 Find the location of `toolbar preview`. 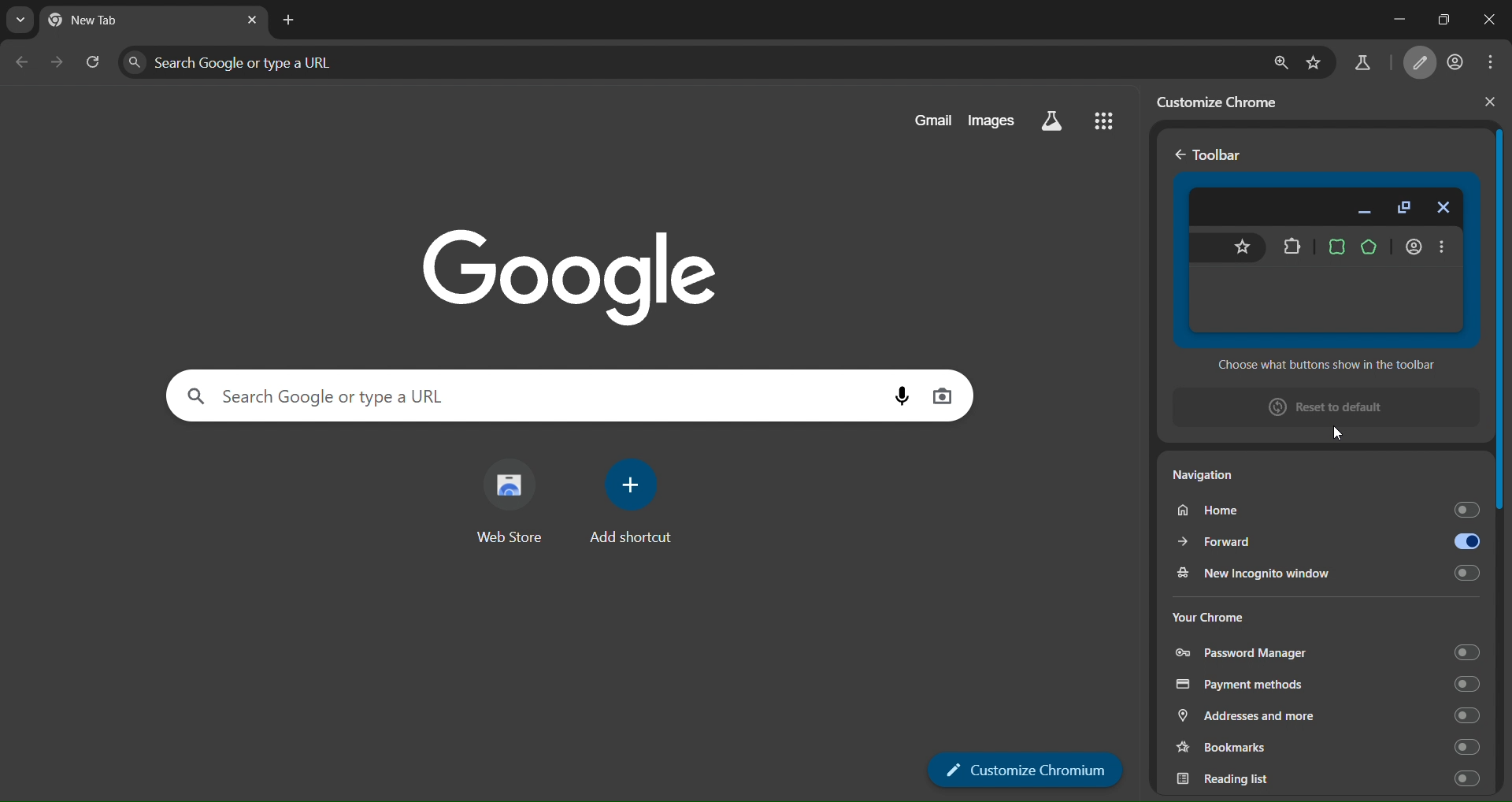

toolbar preview is located at coordinates (1324, 258).